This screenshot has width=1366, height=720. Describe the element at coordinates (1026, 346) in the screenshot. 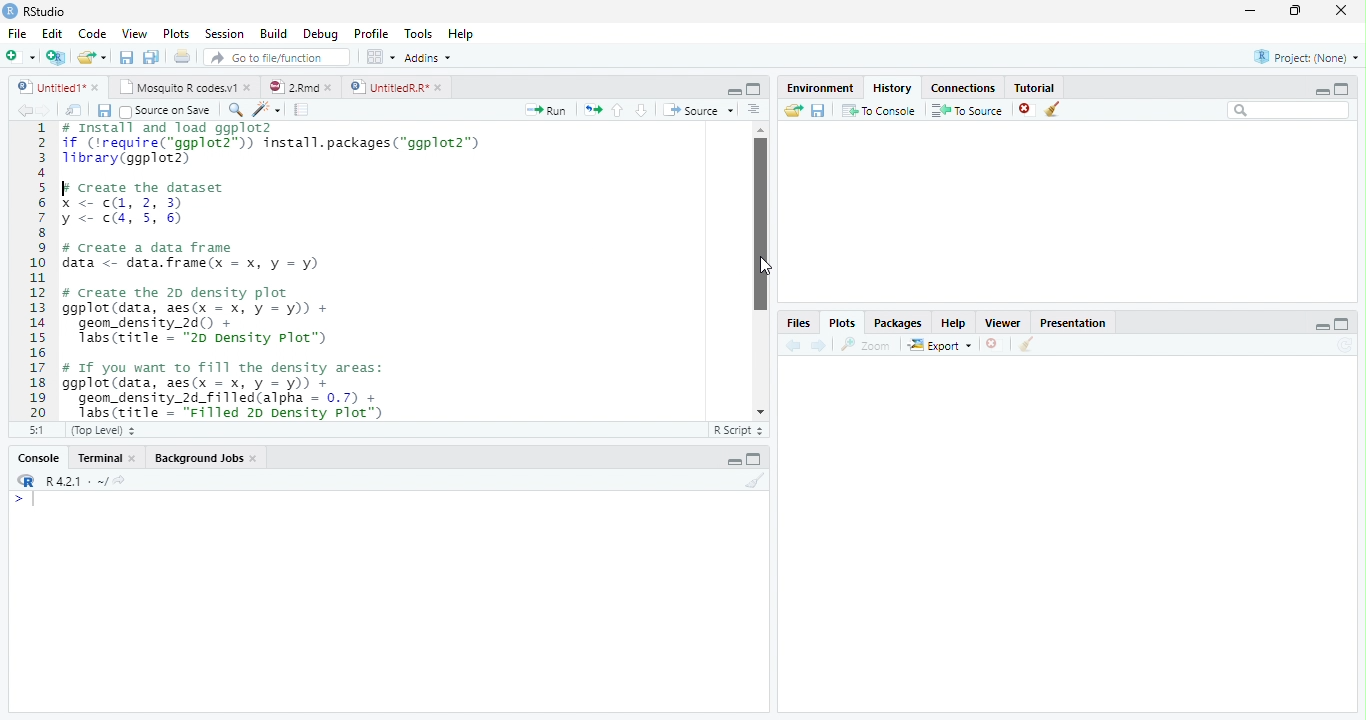

I see `clear` at that location.